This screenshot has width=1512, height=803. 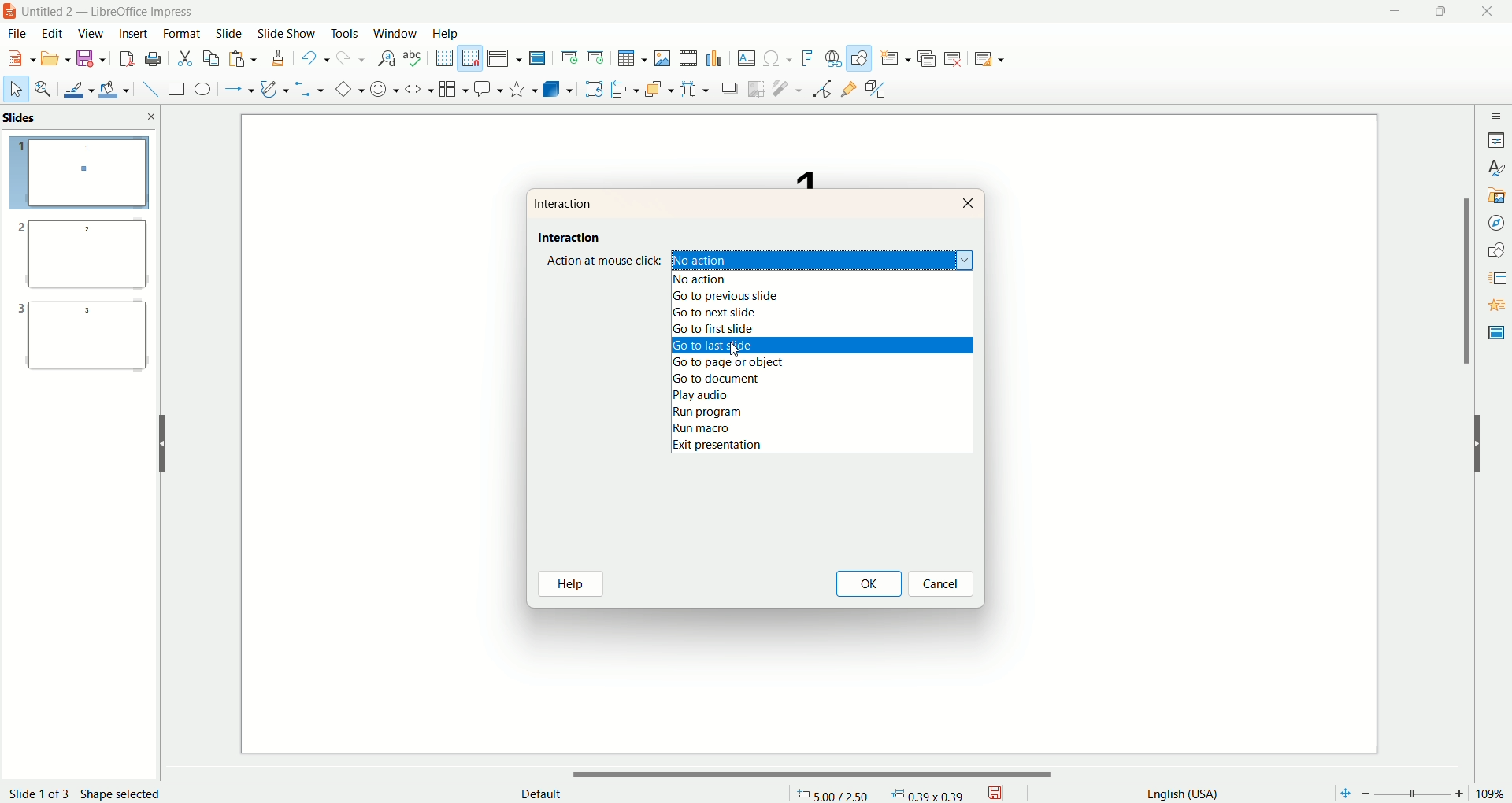 What do you see at coordinates (229, 35) in the screenshot?
I see `slide` at bounding box center [229, 35].